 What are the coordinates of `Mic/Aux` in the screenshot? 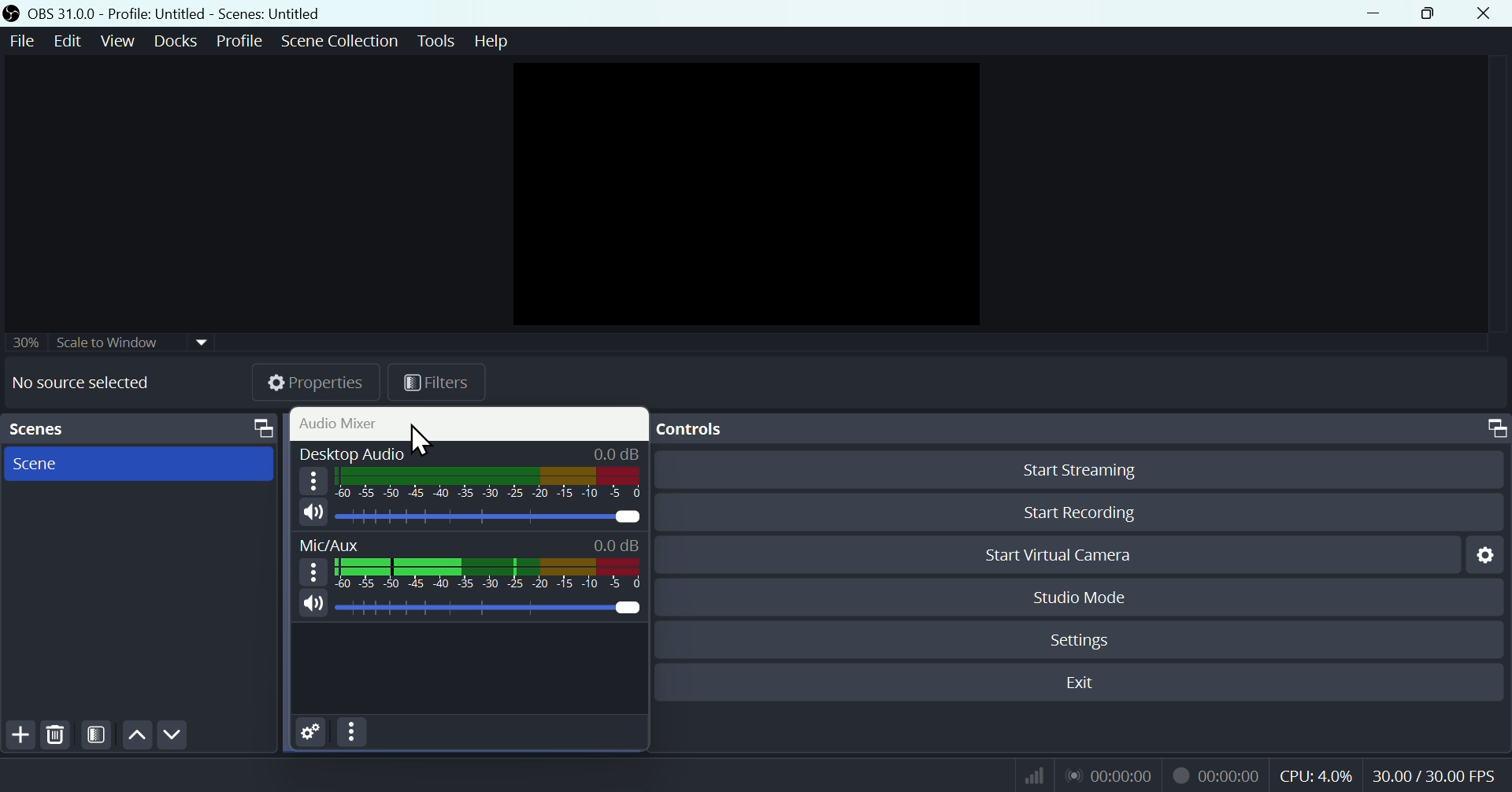 It's located at (331, 544).